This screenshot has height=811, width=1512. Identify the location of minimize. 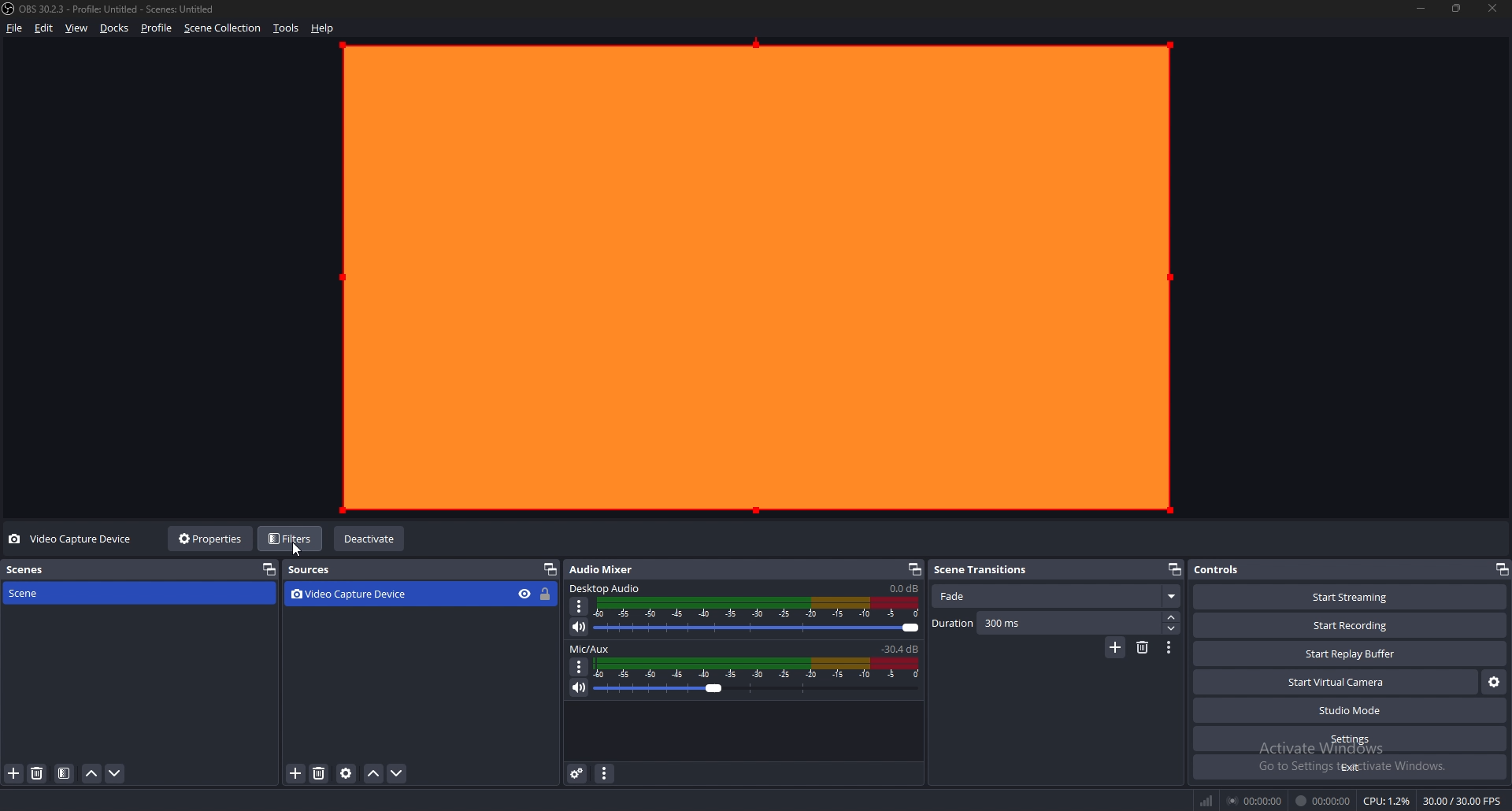
(1421, 9).